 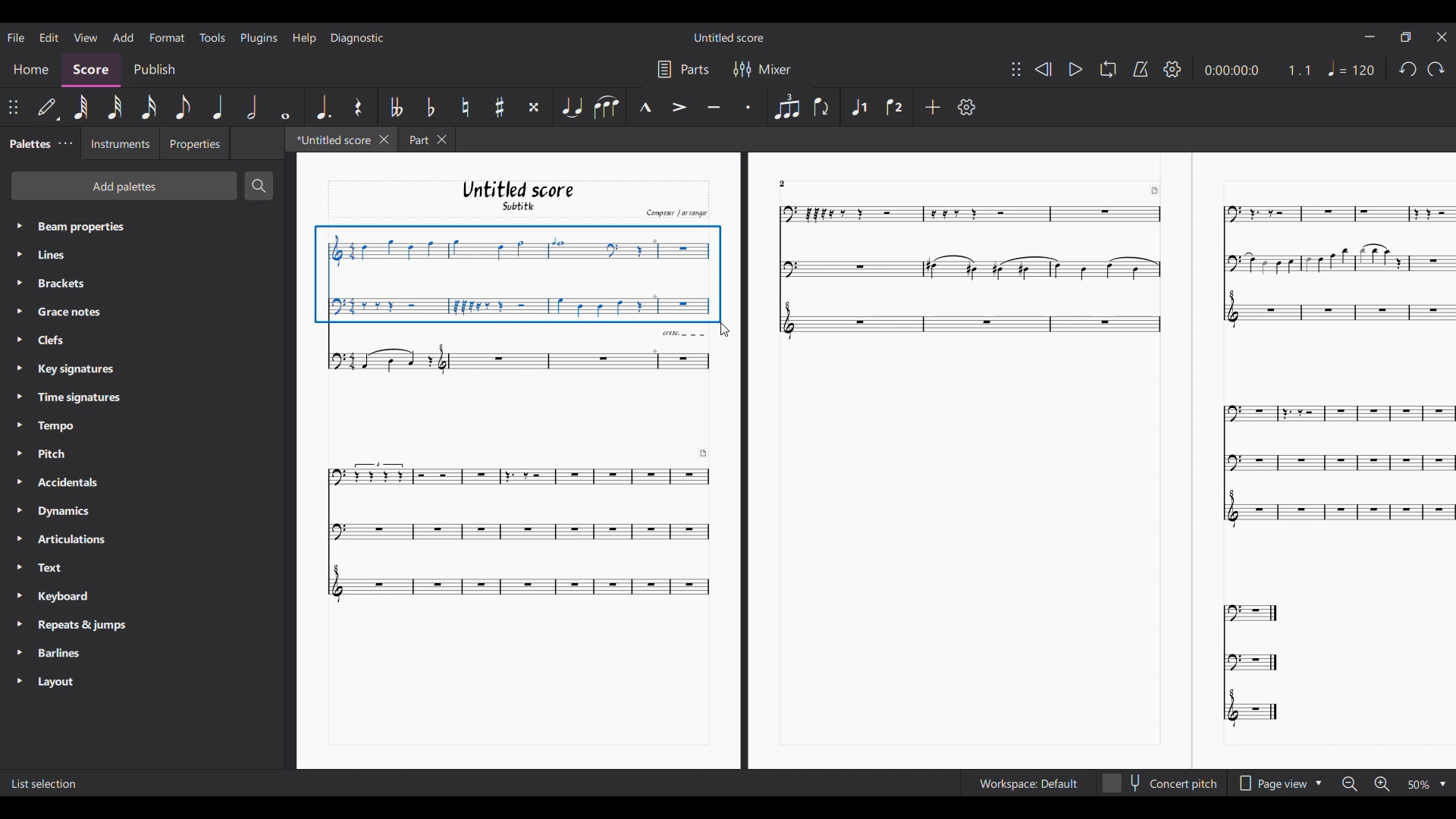 I want to click on Parts, so click(x=695, y=69).